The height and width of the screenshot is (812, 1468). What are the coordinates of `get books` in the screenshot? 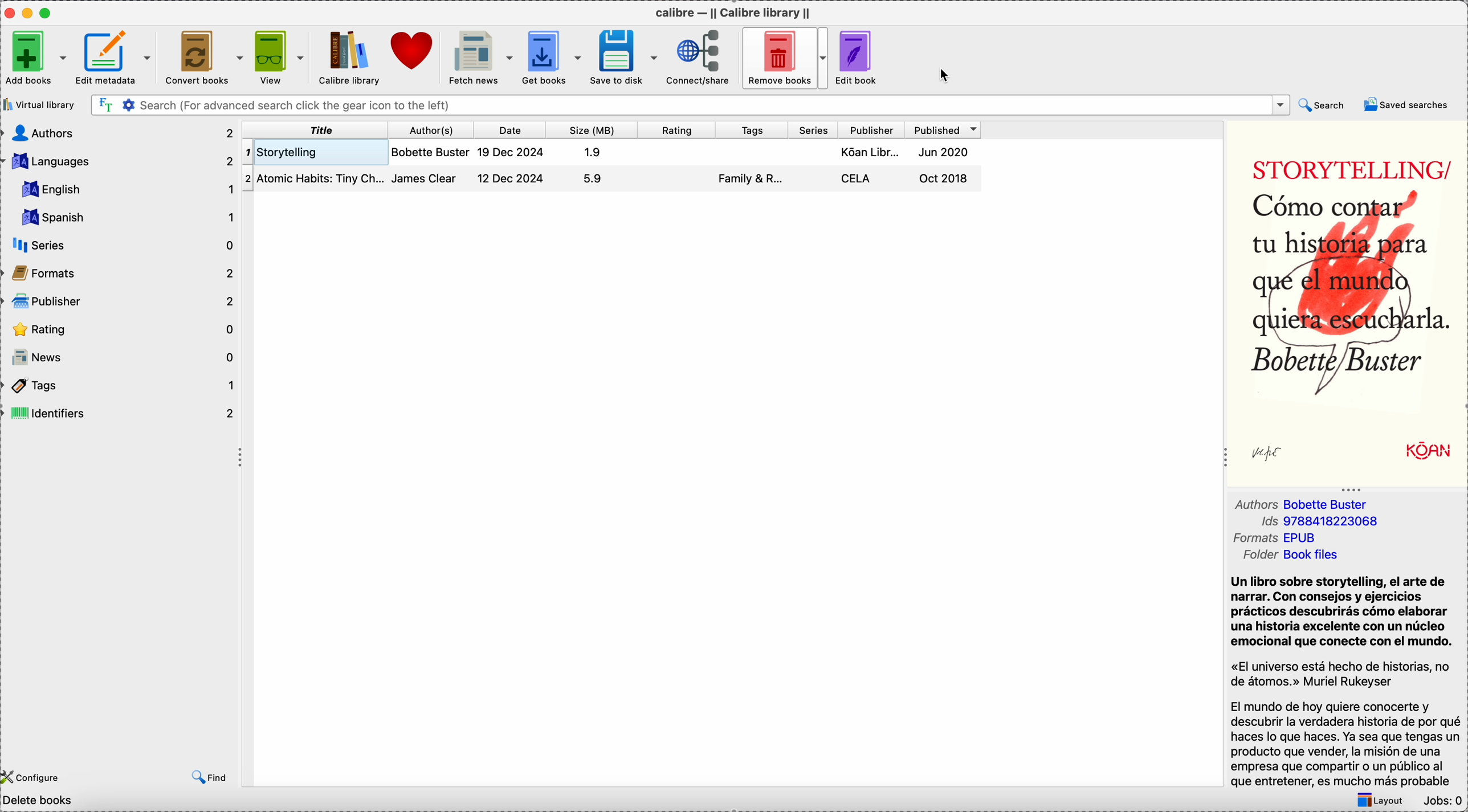 It's located at (553, 58).